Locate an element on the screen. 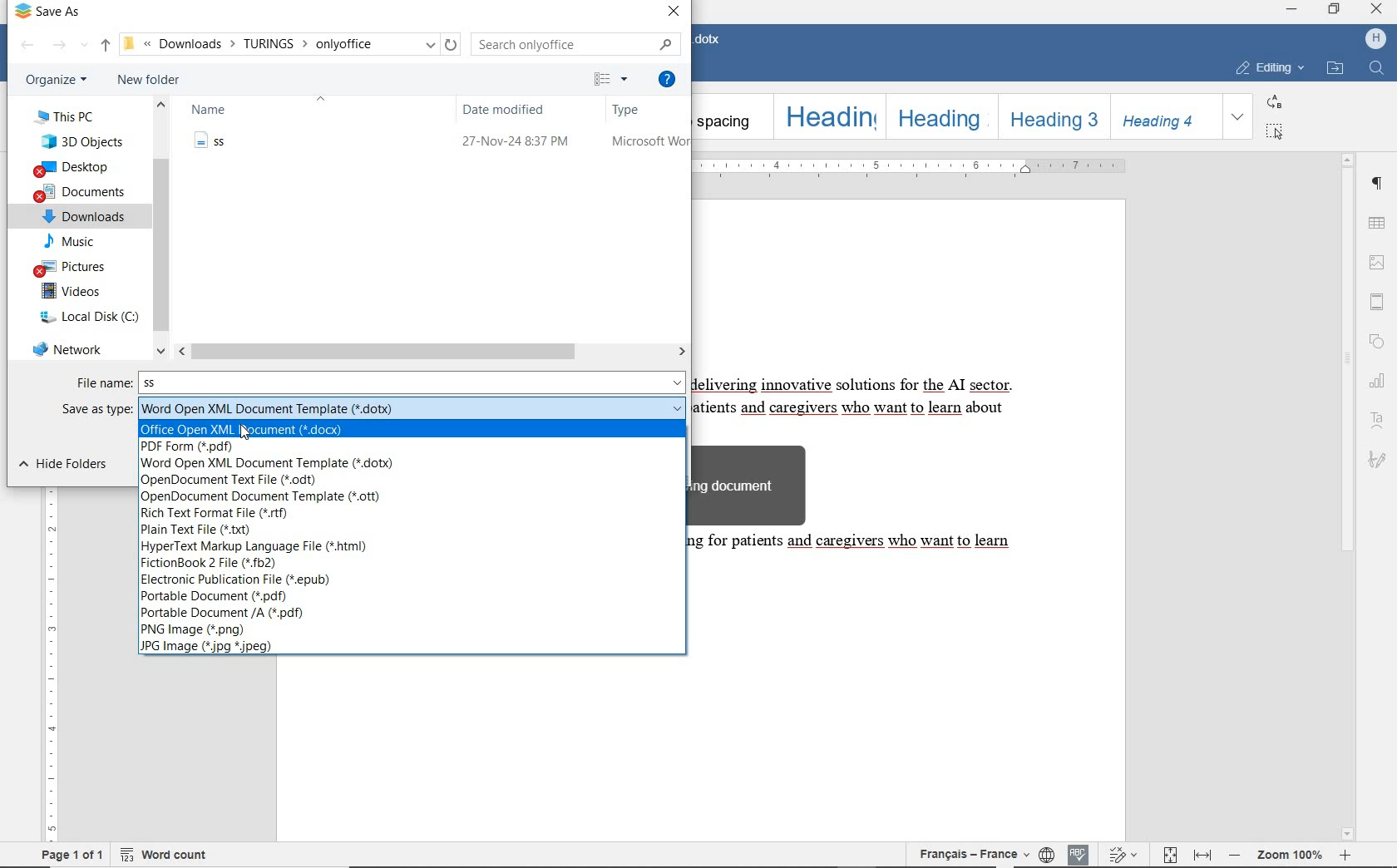 This screenshot has height=868, width=1397. cursor is located at coordinates (244, 431).